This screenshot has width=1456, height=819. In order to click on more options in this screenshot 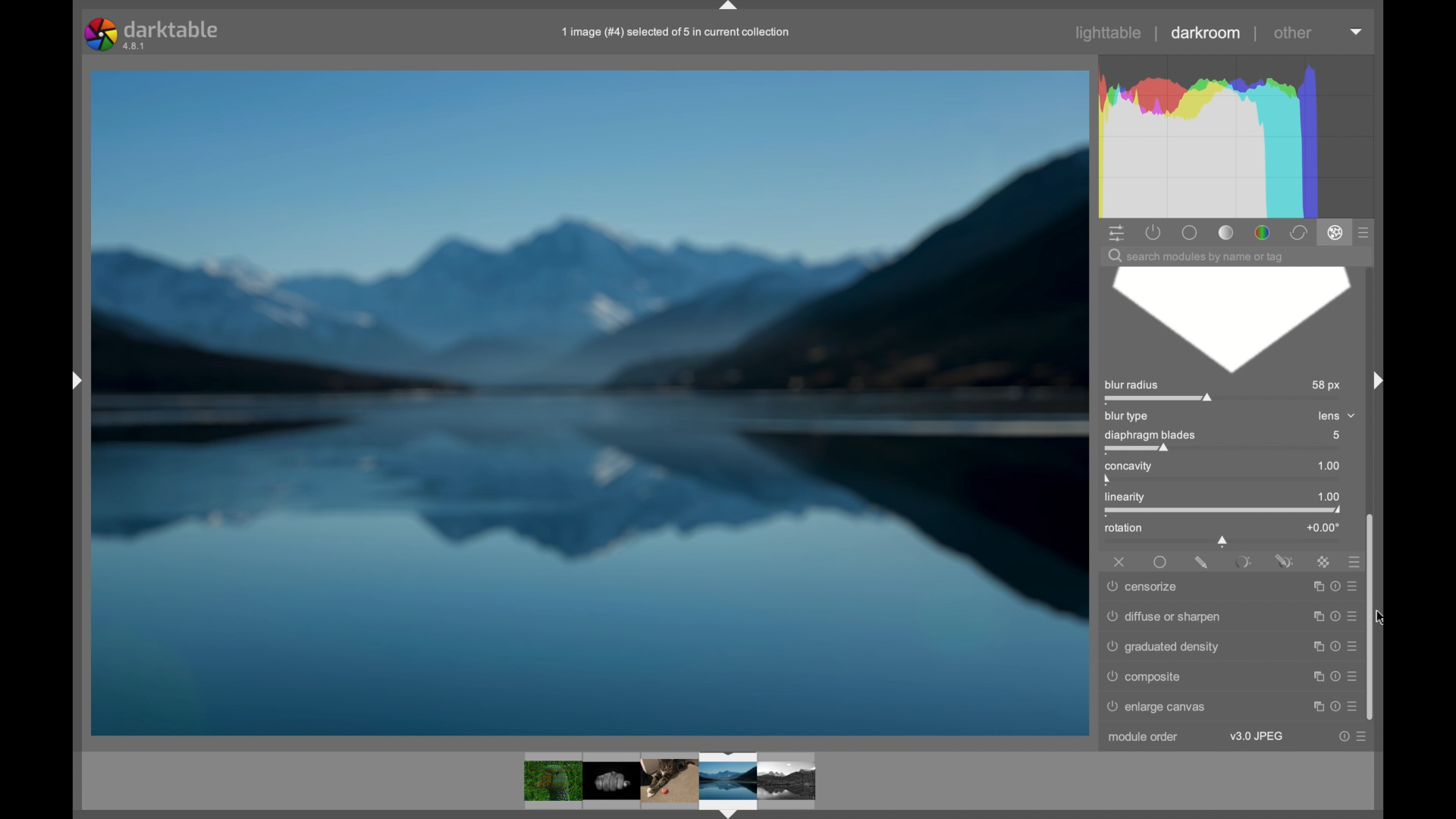, I will do `click(1354, 583)`.